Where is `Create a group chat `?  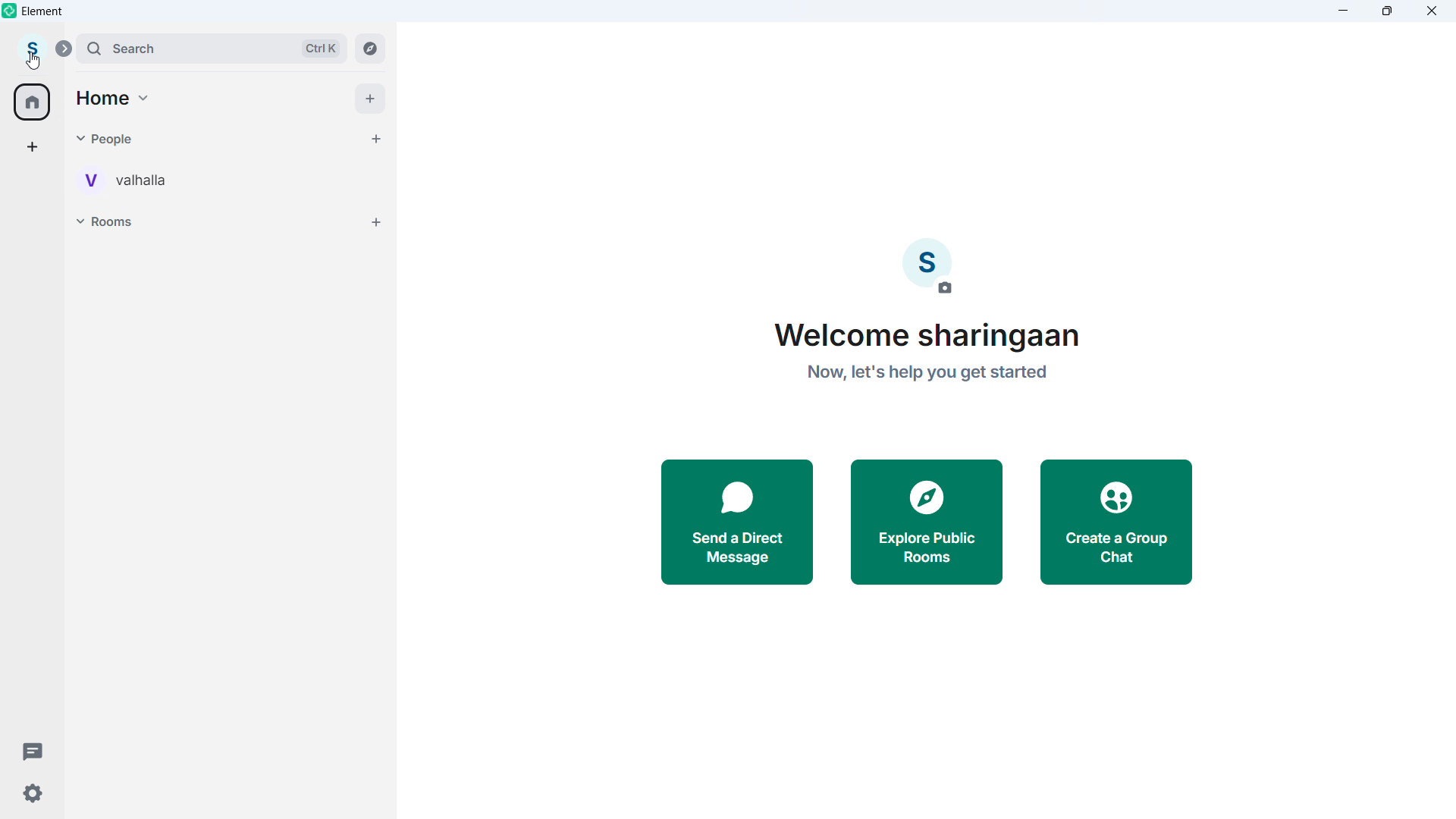
Create a group chat  is located at coordinates (1119, 523).